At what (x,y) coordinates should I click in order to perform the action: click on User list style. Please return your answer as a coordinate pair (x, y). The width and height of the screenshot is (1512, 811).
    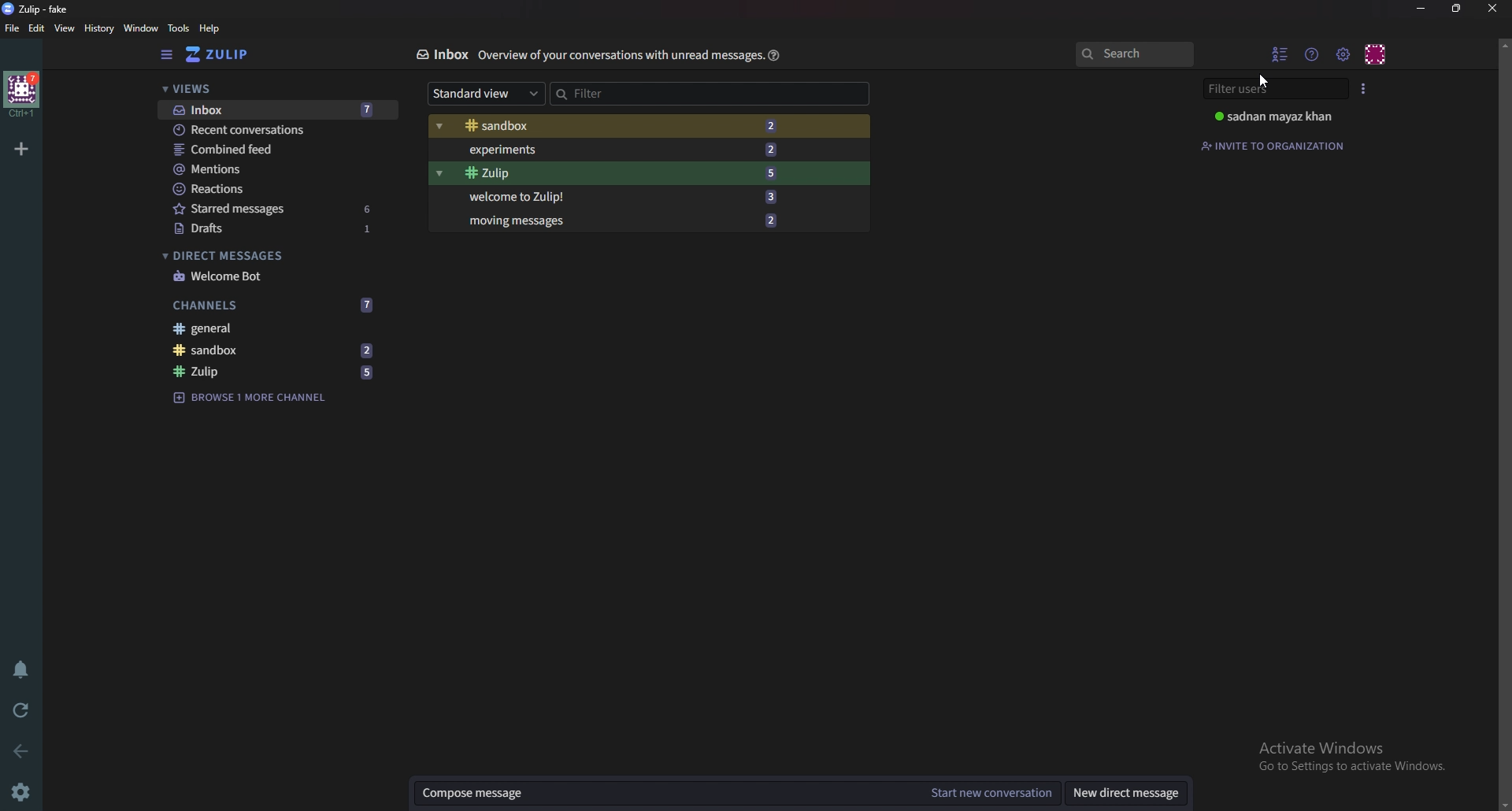
    Looking at the image, I should click on (1365, 89).